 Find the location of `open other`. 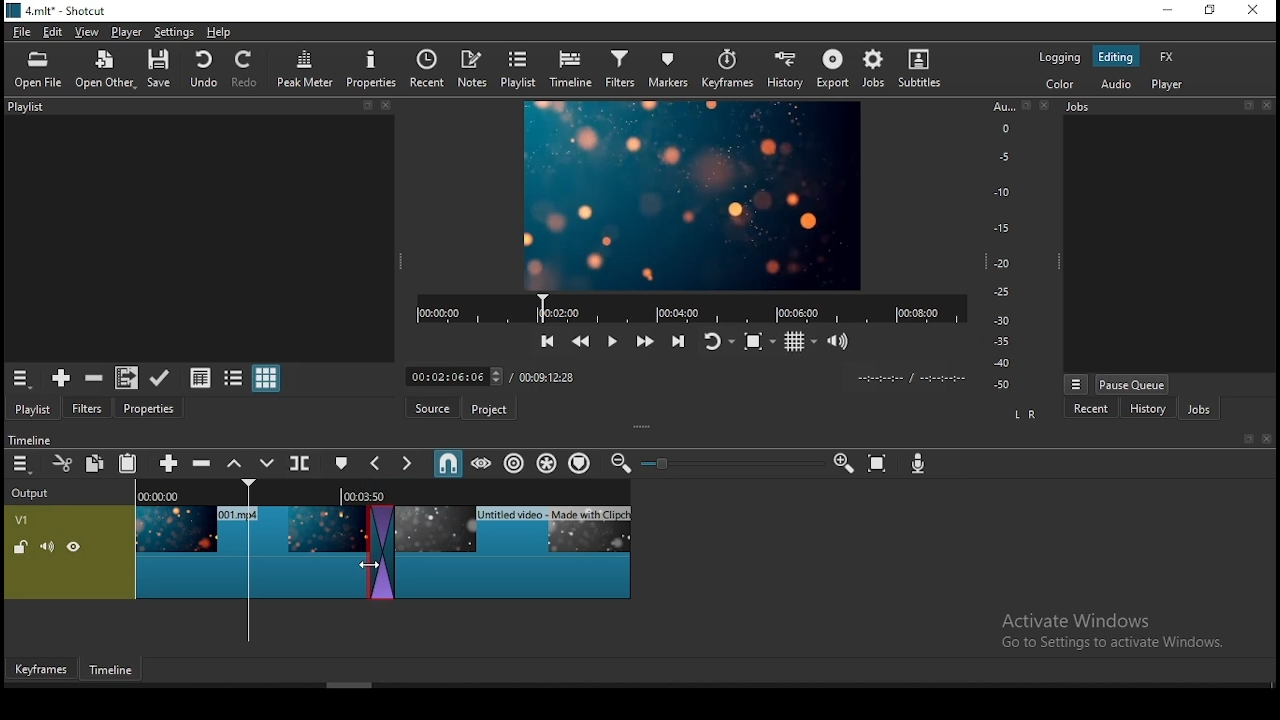

open other is located at coordinates (107, 70).